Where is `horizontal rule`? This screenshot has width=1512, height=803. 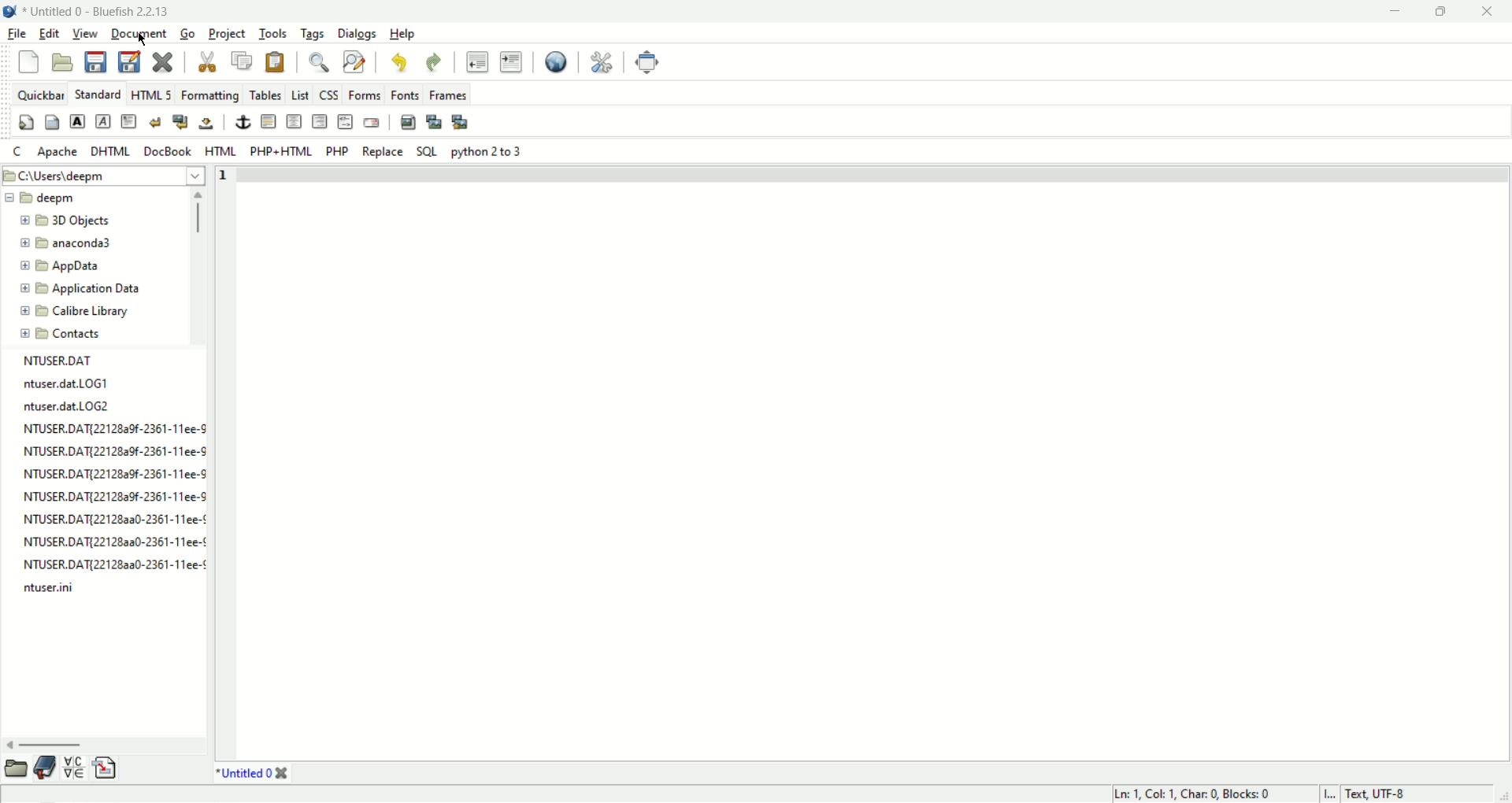 horizontal rule is located at coordinates (270, 123).